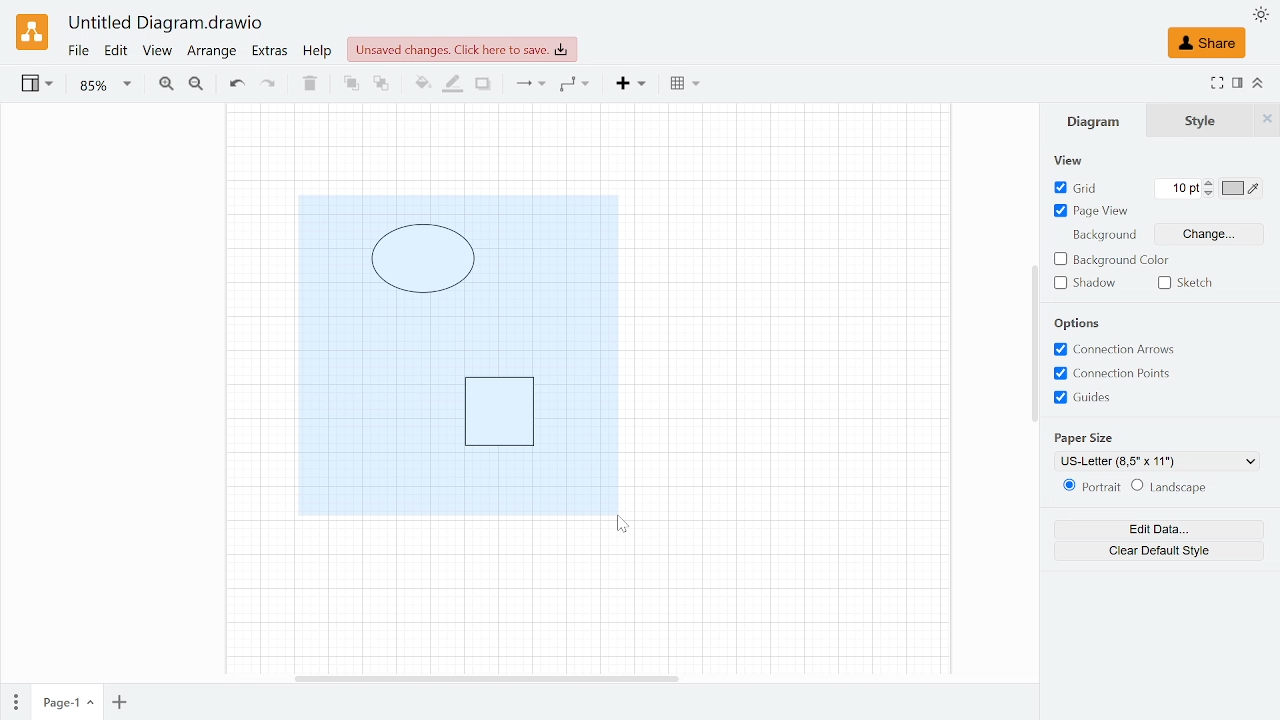 Image resolution: width=1280 pixels, height=720 pixels. Describe the element at coordinates (1090, 398) in the screenshot. I see `Guides` at that location.